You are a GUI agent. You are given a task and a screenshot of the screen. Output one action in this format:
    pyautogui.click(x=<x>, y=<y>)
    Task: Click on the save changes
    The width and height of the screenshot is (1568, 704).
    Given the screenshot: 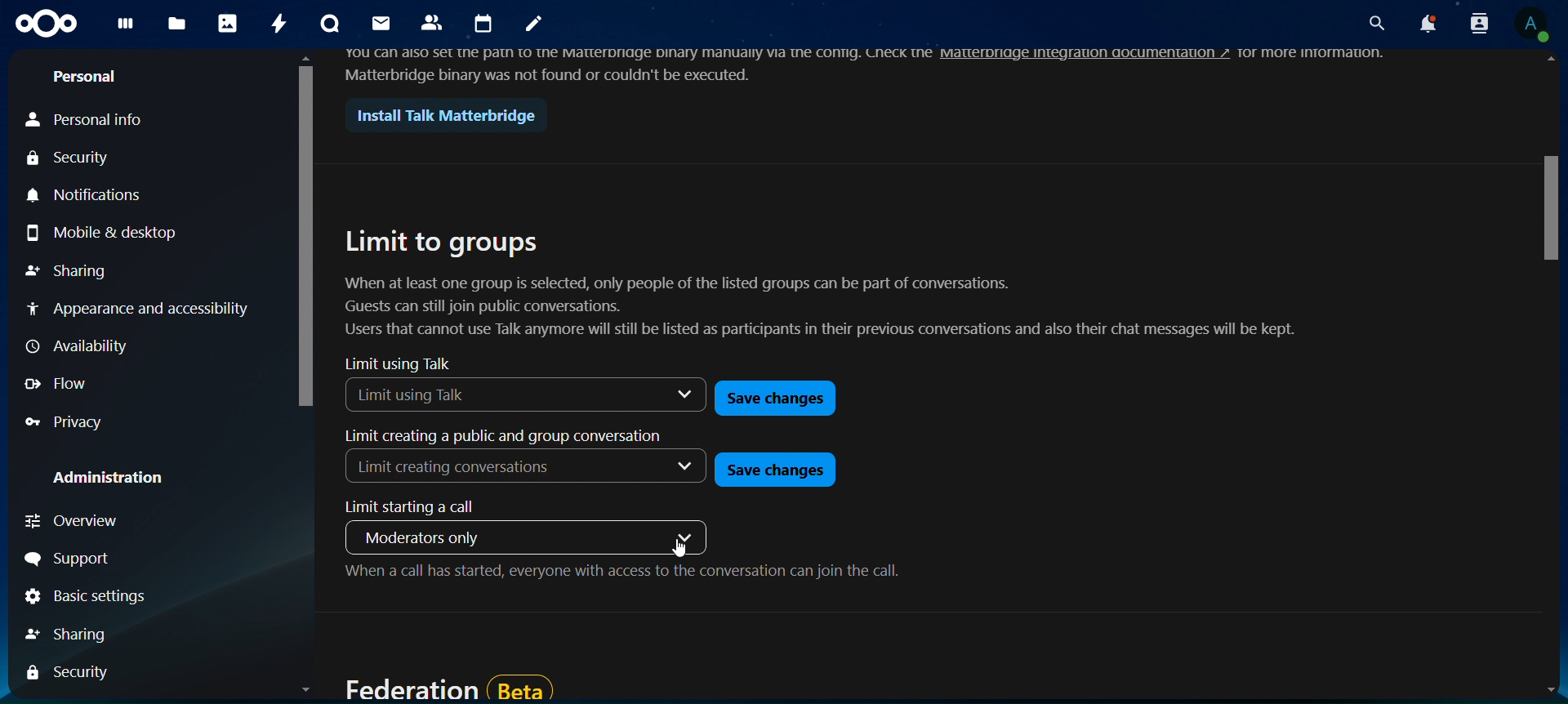 What is the action you would take?
    pyautogui.click(x=772, y=469)
    